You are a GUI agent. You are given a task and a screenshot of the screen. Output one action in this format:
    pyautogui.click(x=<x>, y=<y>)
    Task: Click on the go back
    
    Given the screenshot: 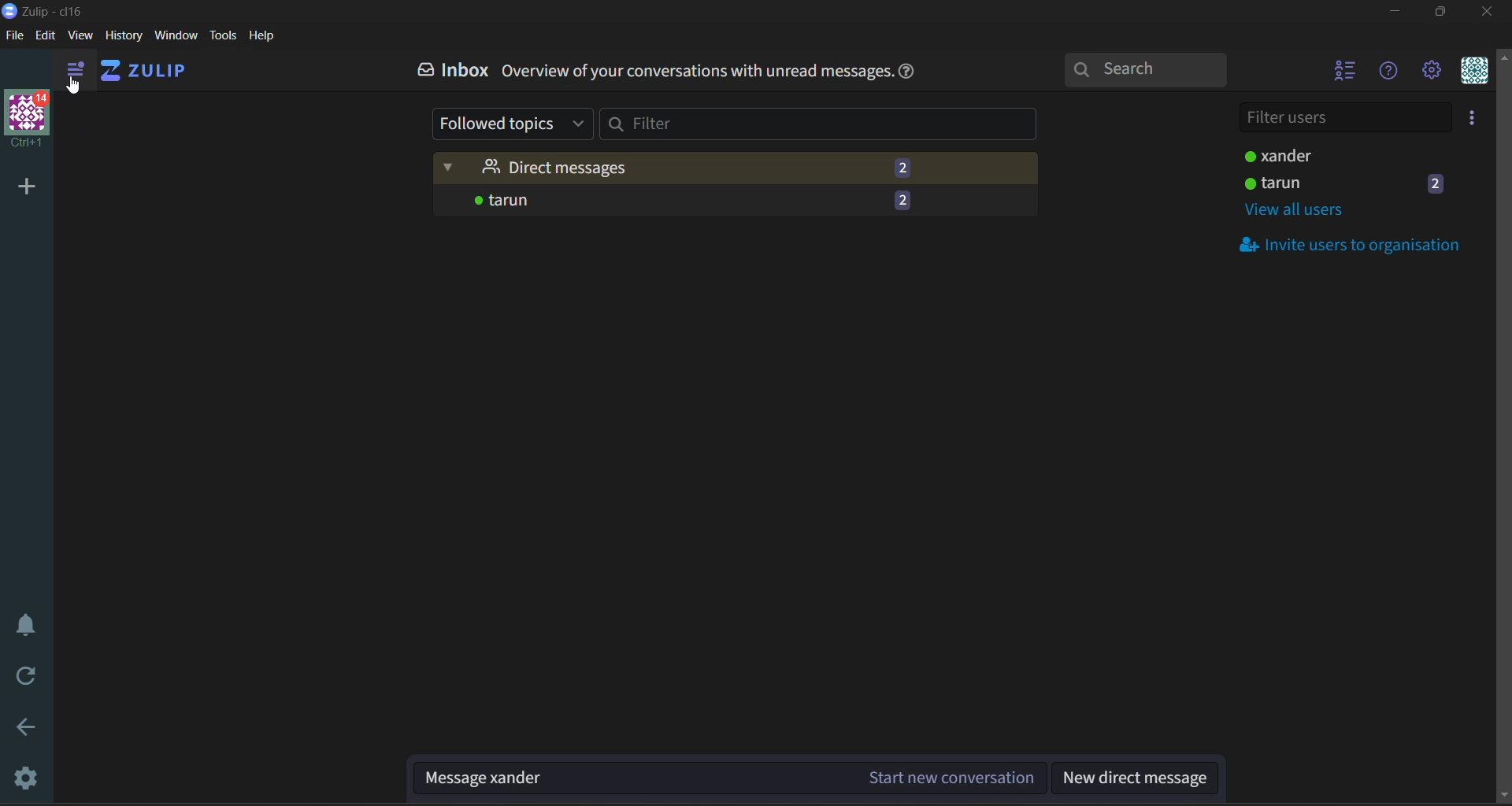 What is the action you would take?
    pyautogui.click(x=31, y=728)
    